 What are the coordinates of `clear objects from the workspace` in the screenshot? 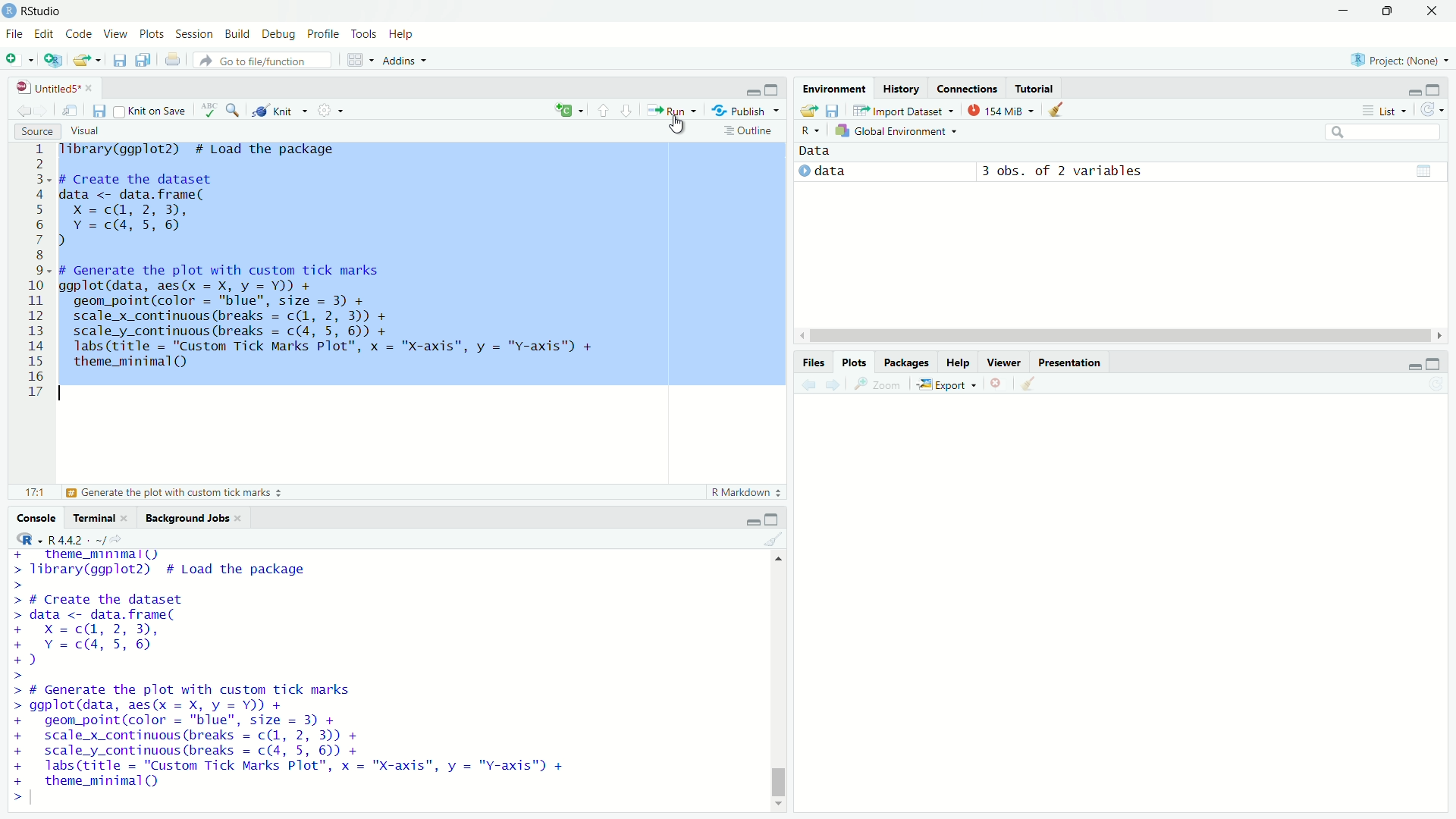 It's located at (1063, 111).